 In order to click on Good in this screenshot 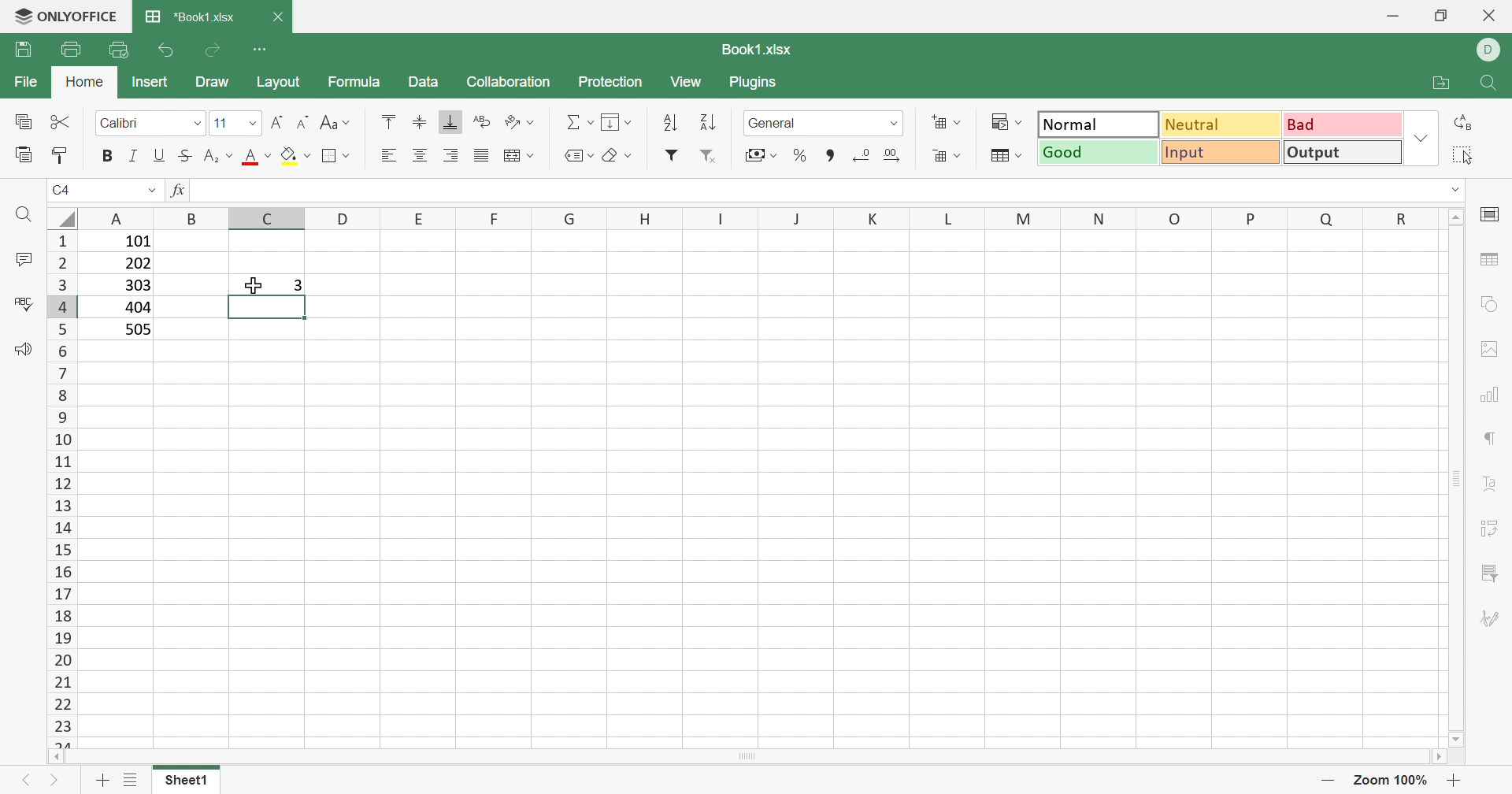, I will do `click(1095, 151)`.